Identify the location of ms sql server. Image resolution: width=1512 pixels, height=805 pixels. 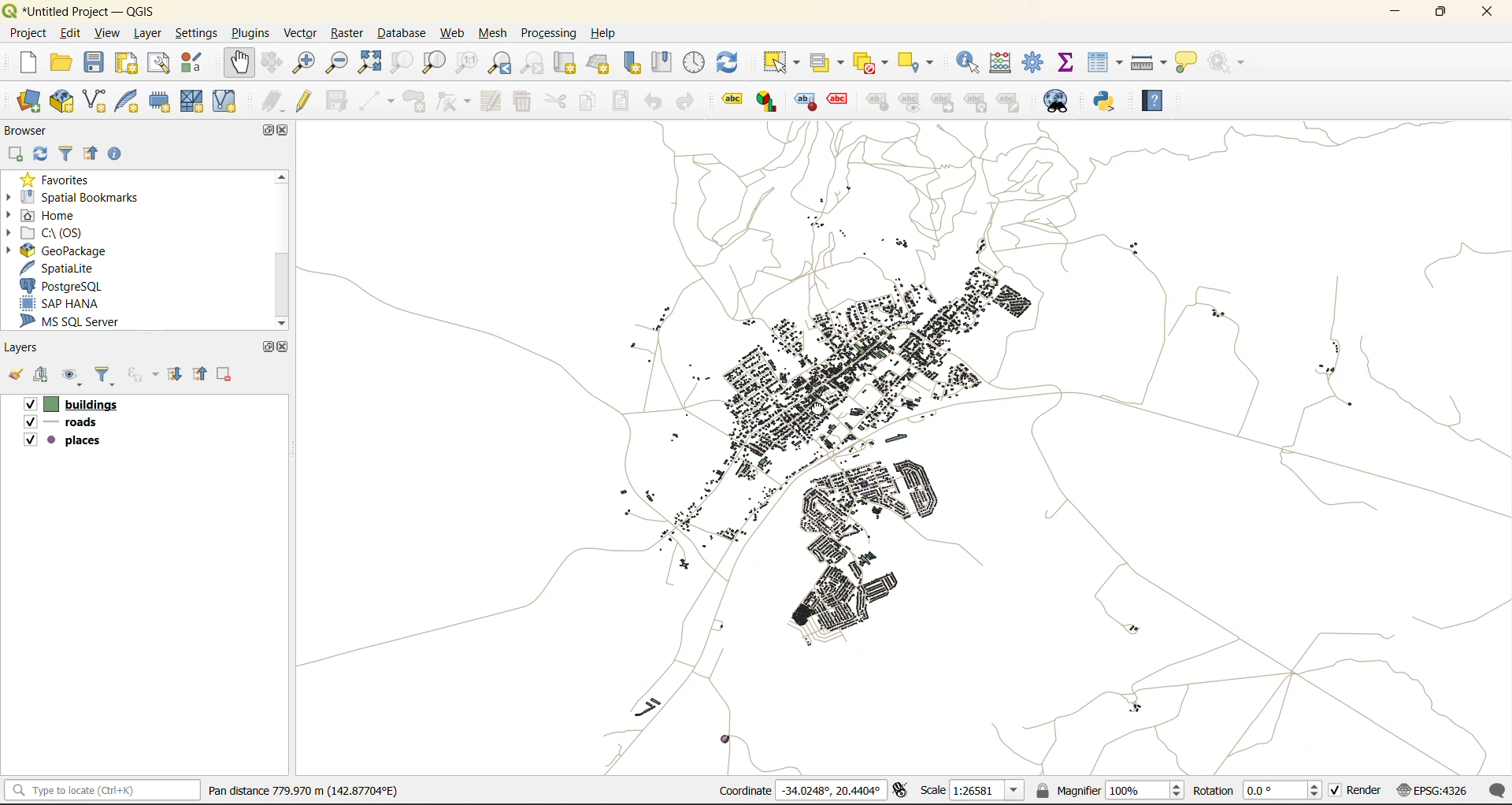
(78, 321).